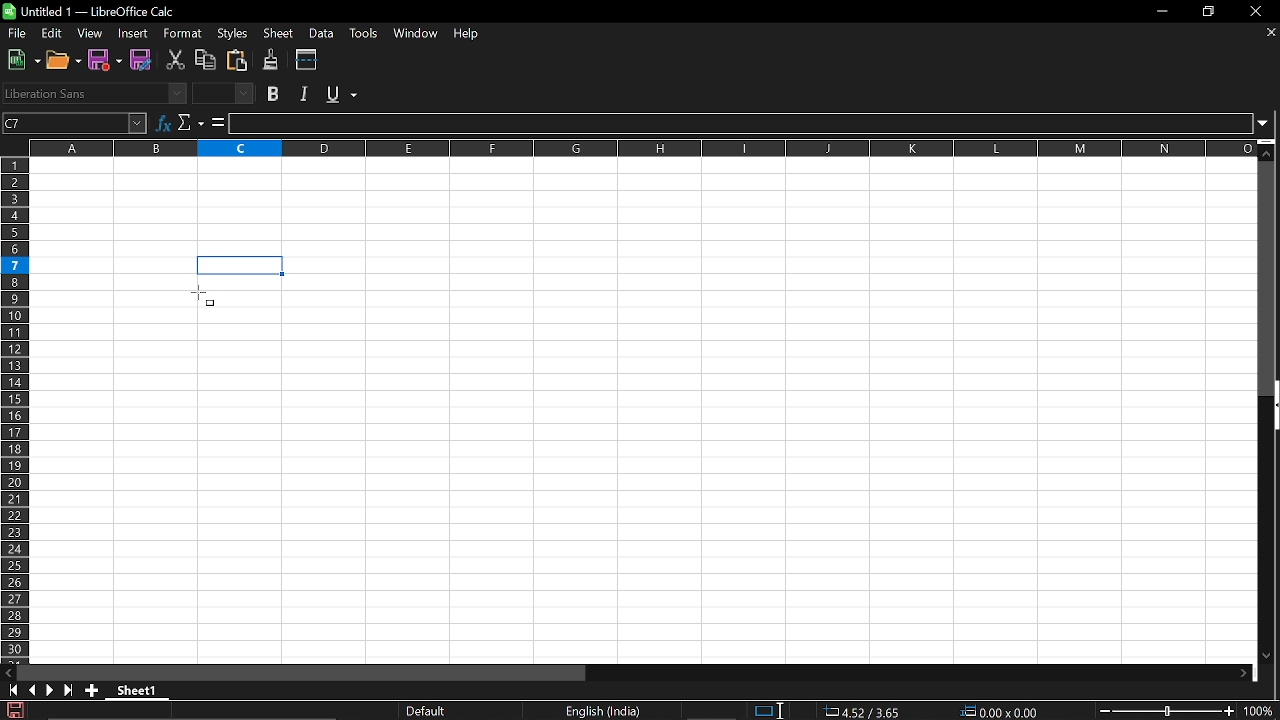 The width and height of the screenshot is (1280, 720). What do you see at coordinates (165, 469) in the screenshot?
I see `Fillable cells` at bounding box center [165, 469].